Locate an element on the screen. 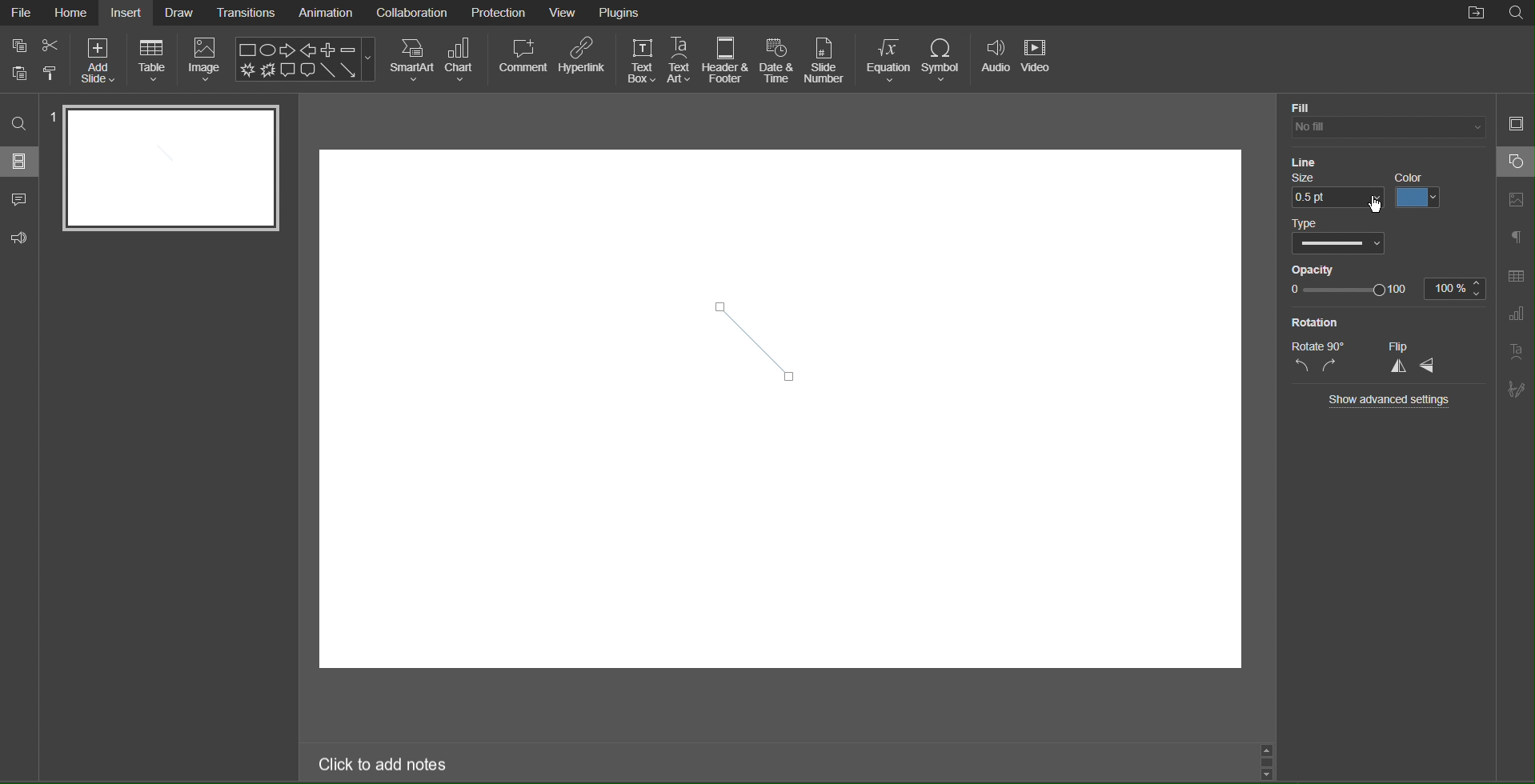 The image size is (1535, 784). 0.5pt is located at coordinates (1337, 199).